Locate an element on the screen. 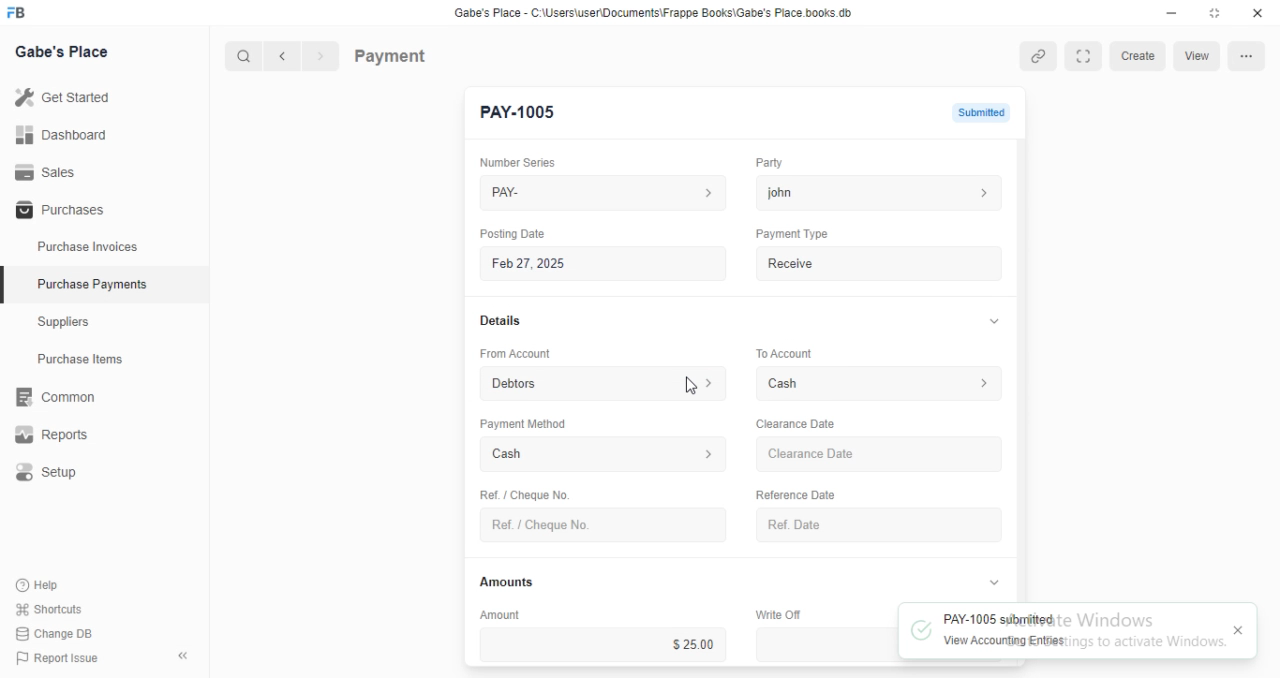 The height and width of the screenshot is (678, 1280). Dashboard is located at coordinates (61, 135).